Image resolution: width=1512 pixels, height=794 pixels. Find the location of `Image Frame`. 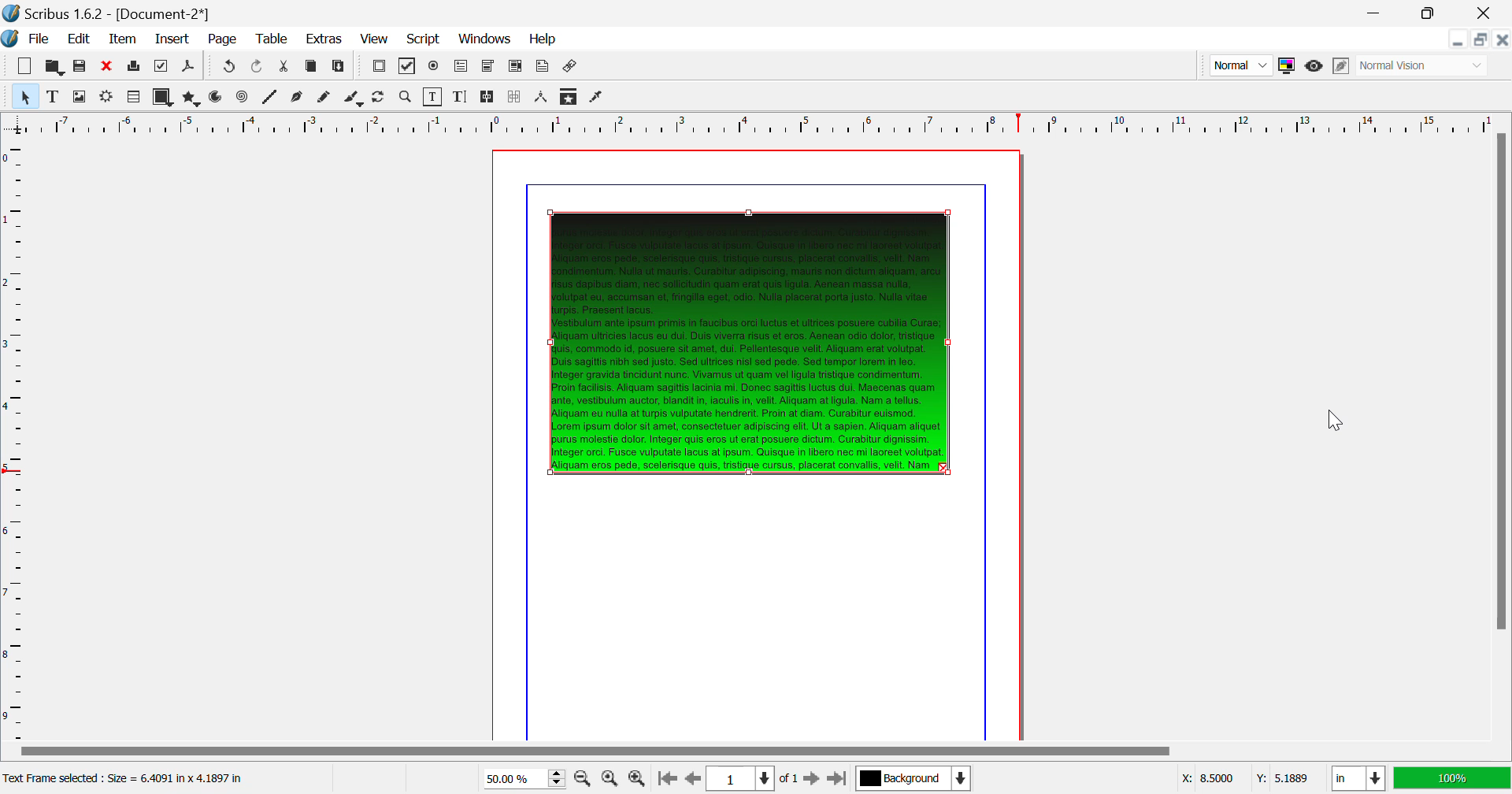

Image Frame is located at coordinates (79, 96).